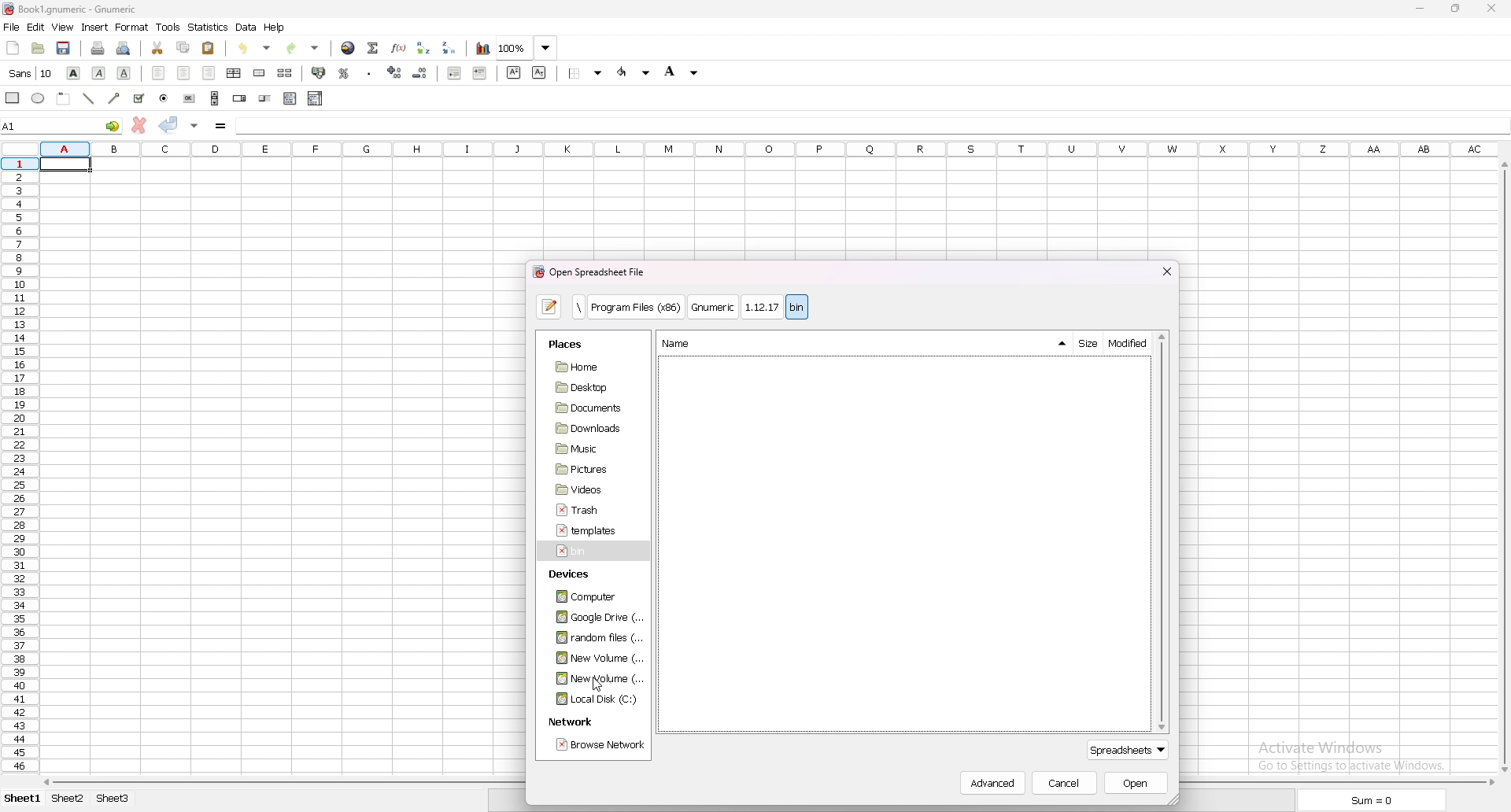 Image resolution: width=1511 pixels, height=812 pixels. What do you see at coordinates (1353, 754) in the screenshot?
I see `Active Windows Go to Settings to activate Windows` at bounding box center [1353, 754].